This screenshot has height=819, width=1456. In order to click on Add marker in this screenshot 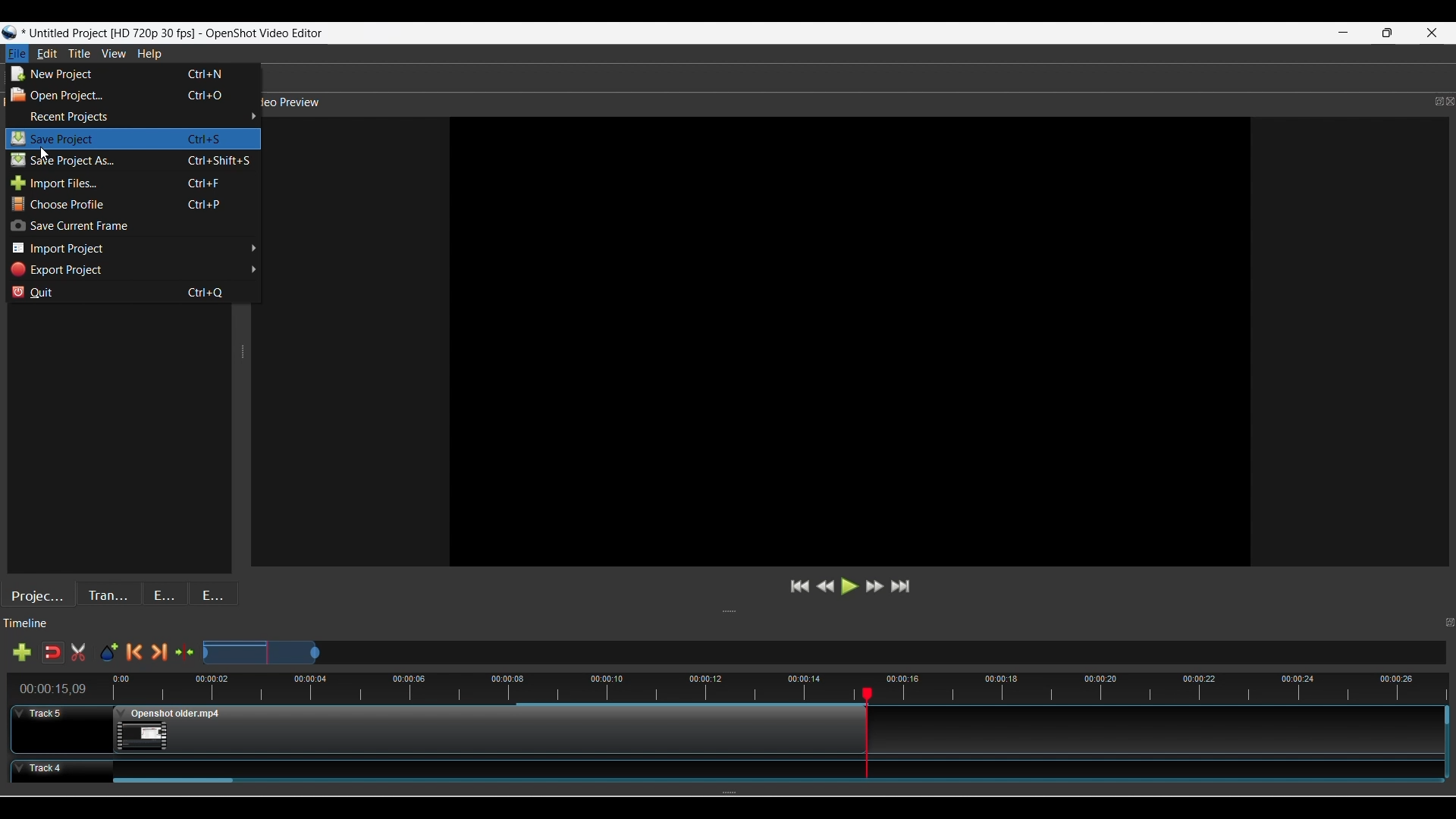, I will do `click(108, 653)`.